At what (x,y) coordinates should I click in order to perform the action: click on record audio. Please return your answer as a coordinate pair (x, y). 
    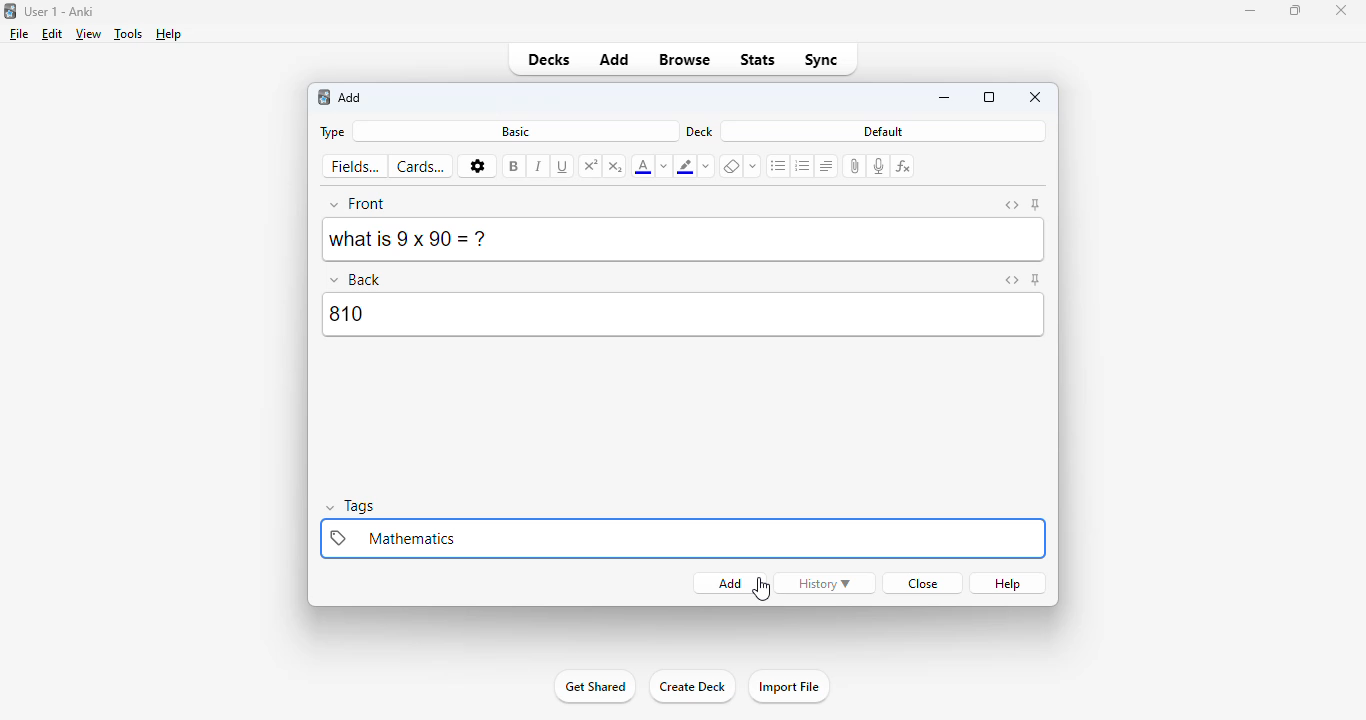
    Looking at the image, I should click on (879, 166).